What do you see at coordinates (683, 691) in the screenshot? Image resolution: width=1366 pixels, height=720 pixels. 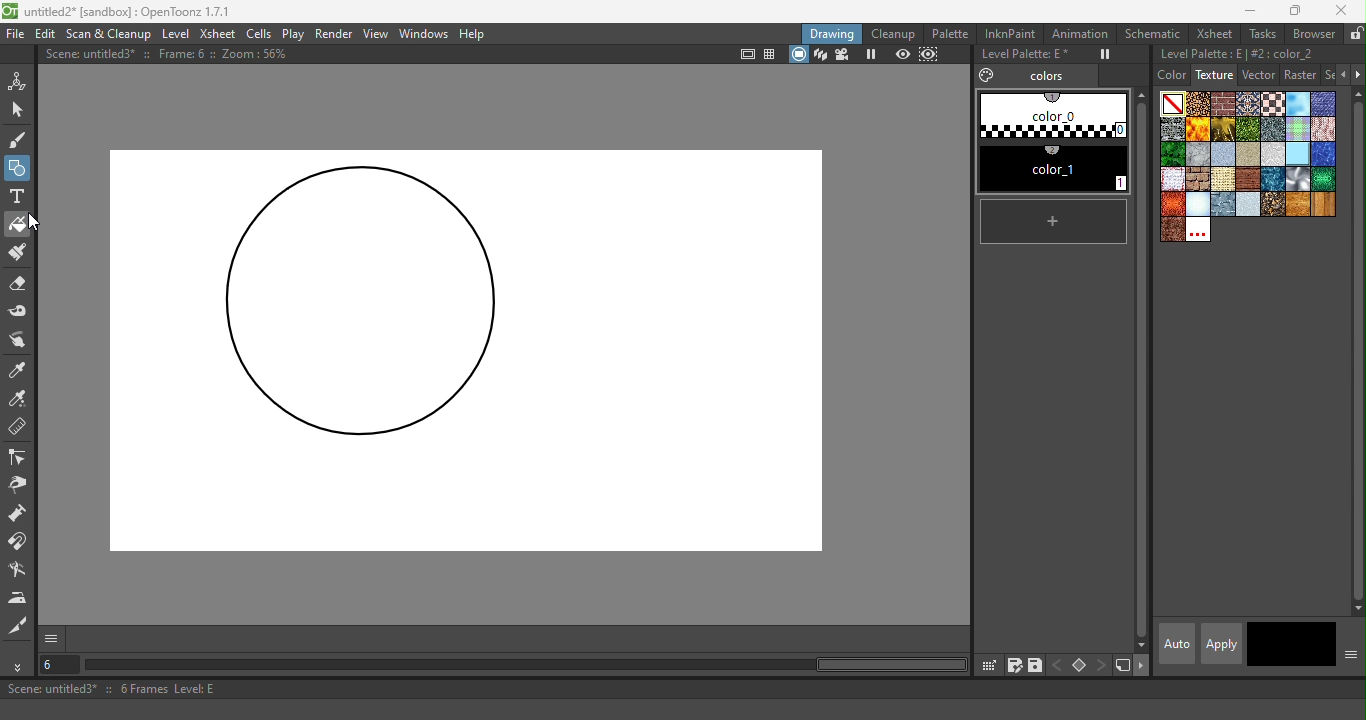 I see `Scene: untitled3* :: 6 Frames Level: E` at bounding box center [683, 691].